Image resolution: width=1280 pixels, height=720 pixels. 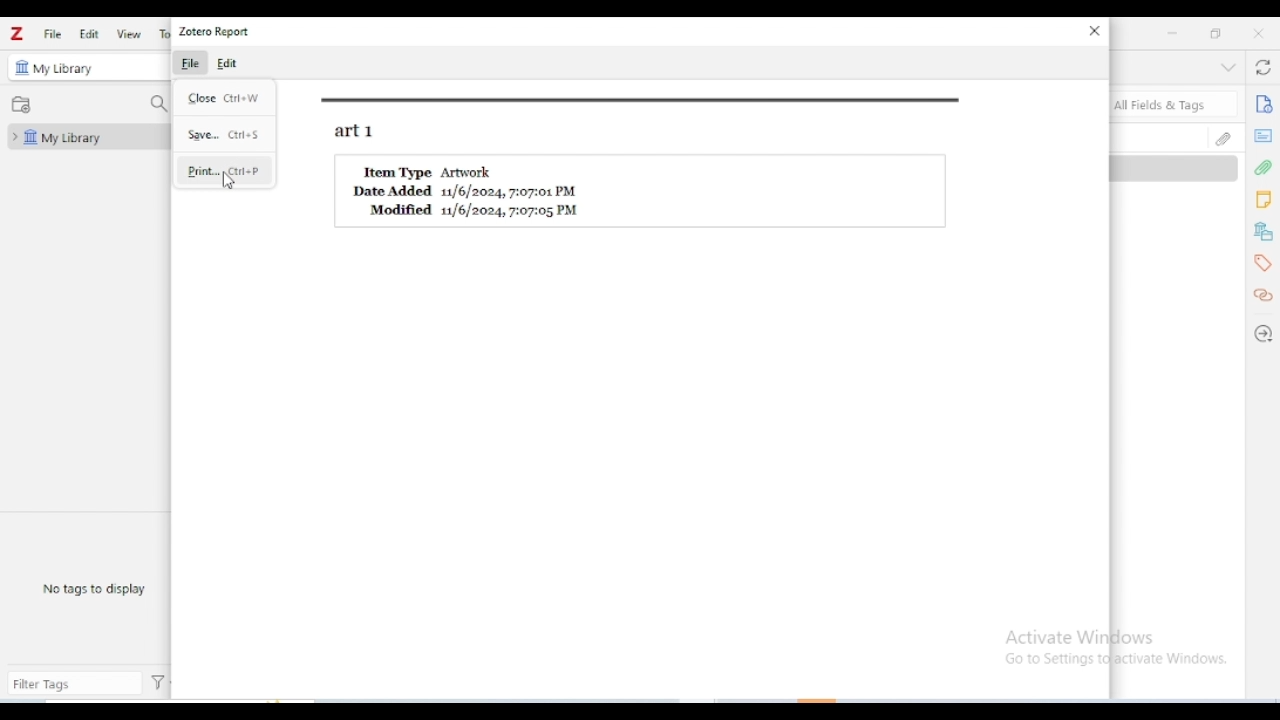 I want to click on abstract, so click(x=1262, y=136).